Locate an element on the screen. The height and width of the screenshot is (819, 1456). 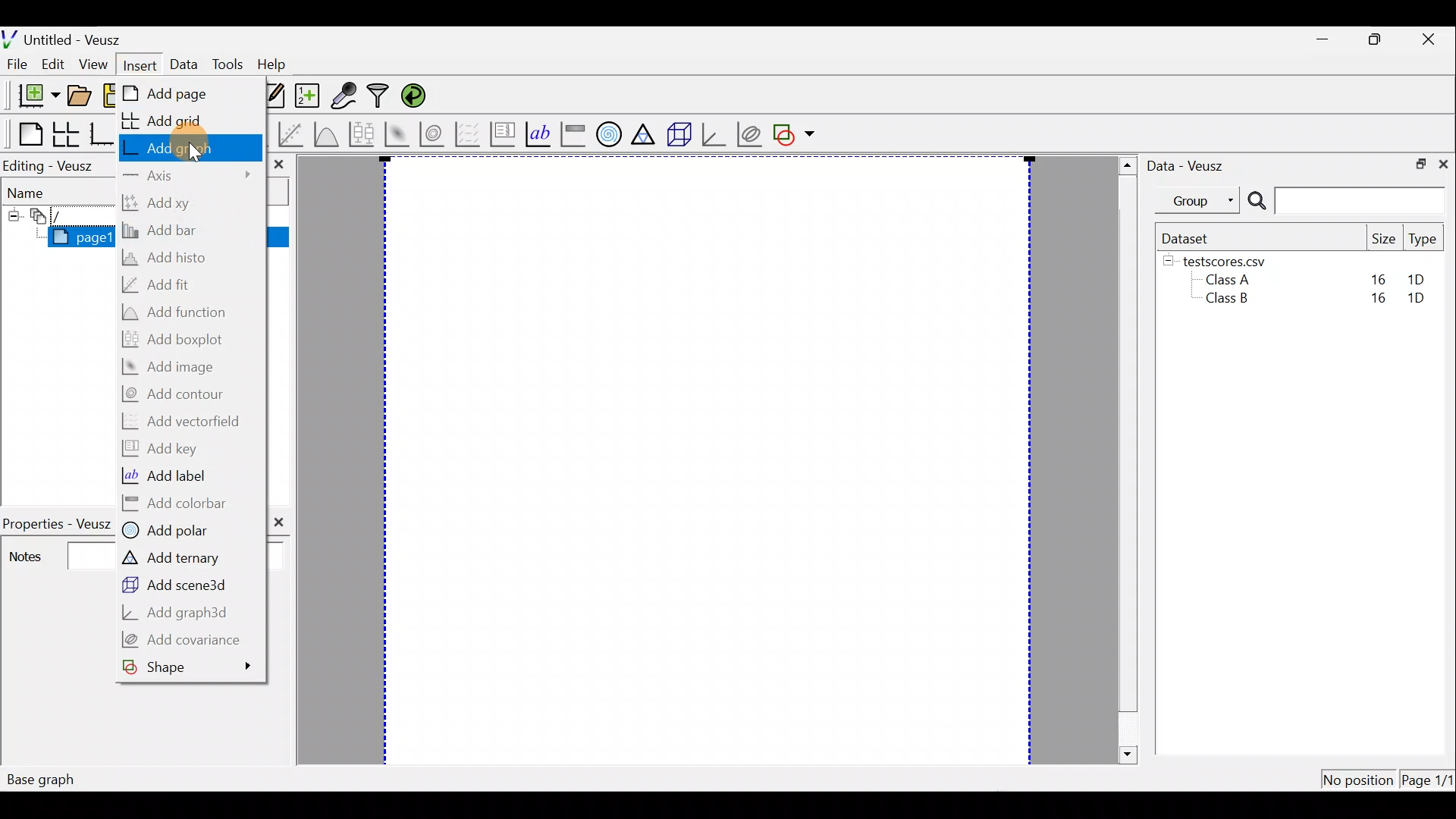
Properties - Veusz is located at coordinates (56, 519).